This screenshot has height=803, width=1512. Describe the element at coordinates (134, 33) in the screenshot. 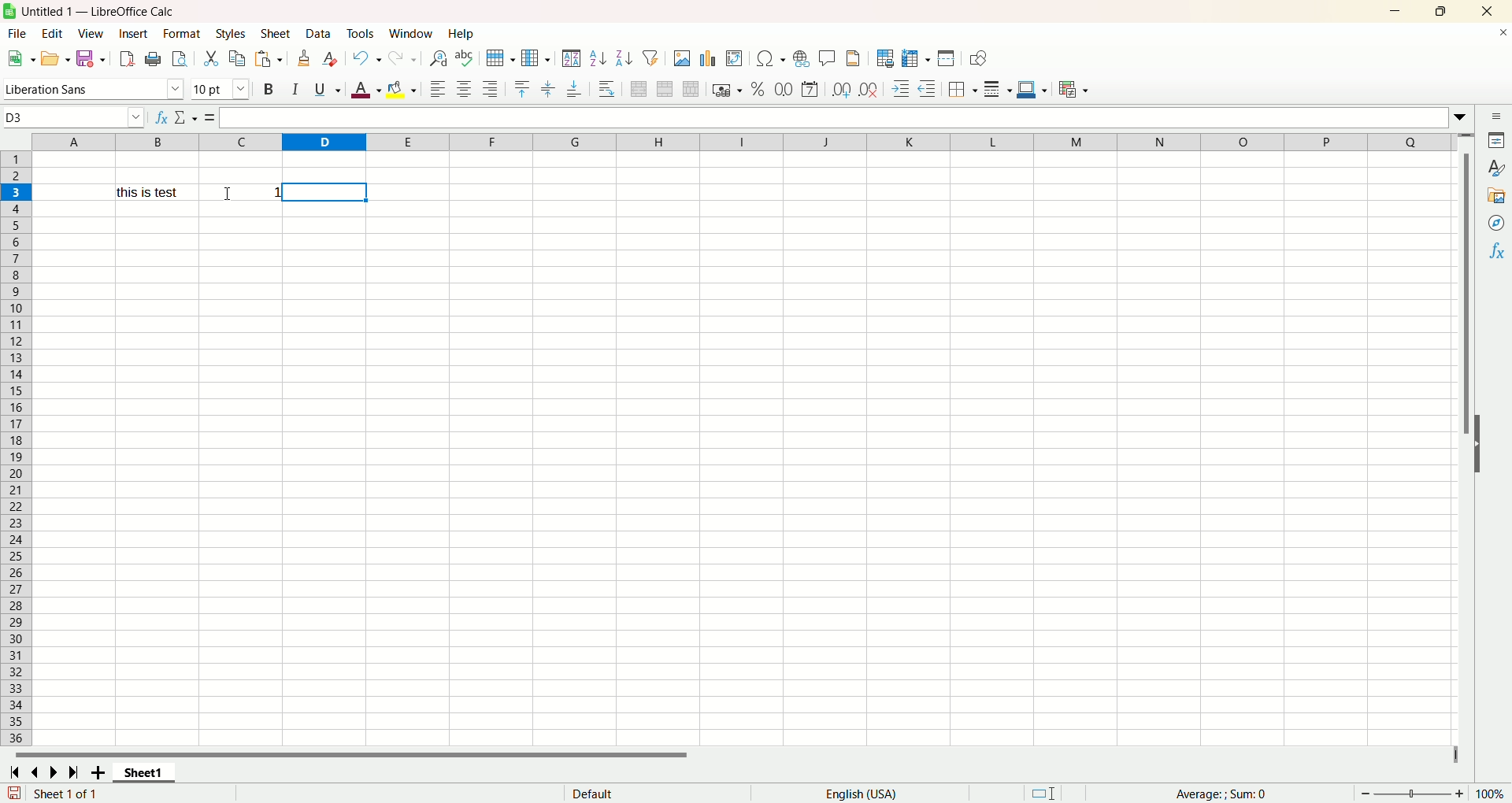

I see `insert` at that location.